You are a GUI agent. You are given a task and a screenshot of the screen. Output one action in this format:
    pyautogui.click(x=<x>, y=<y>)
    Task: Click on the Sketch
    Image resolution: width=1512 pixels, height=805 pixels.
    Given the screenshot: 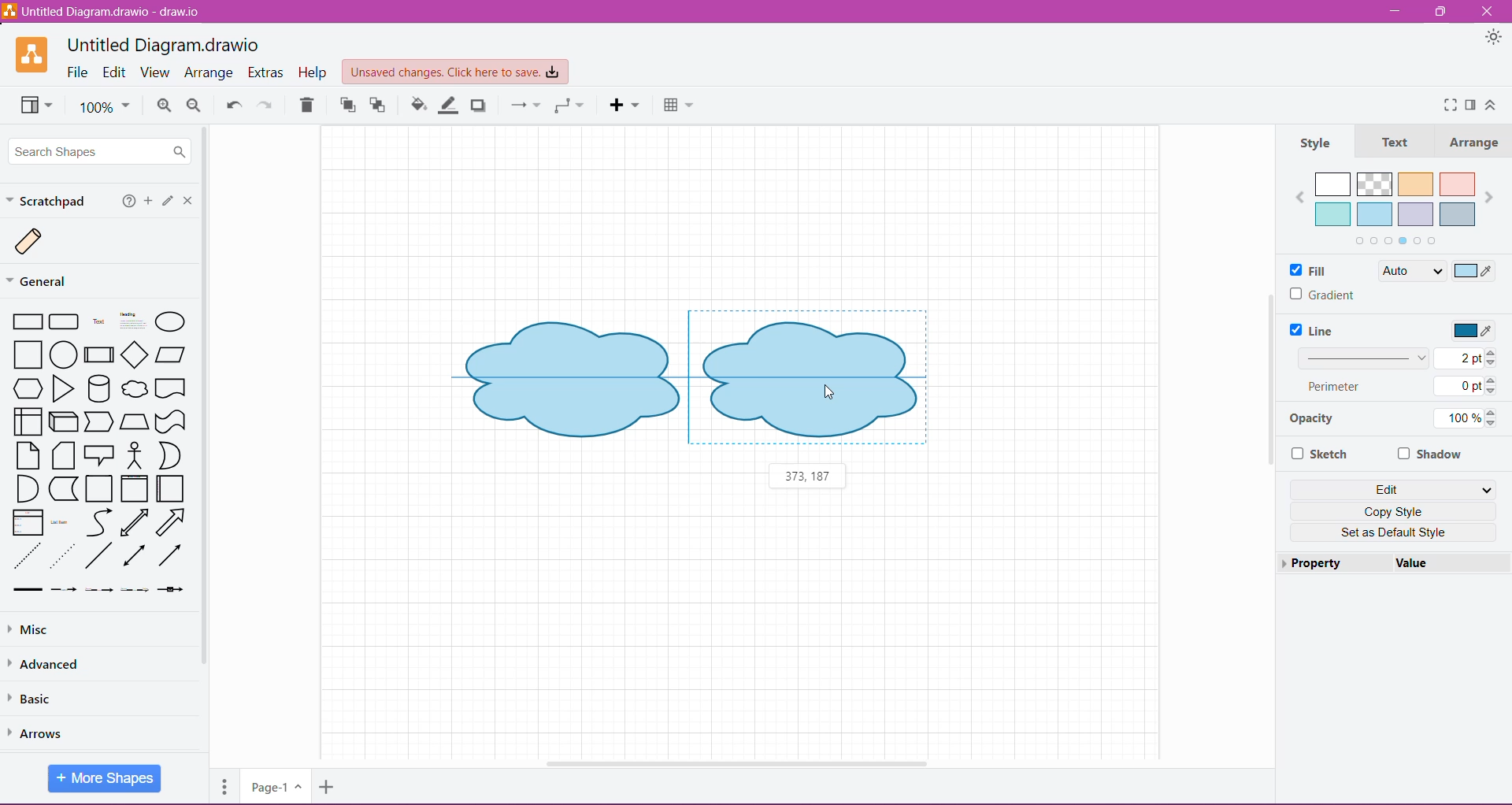 What is the action you would take?
    pyautogui.click(x=1321, y=454)
    